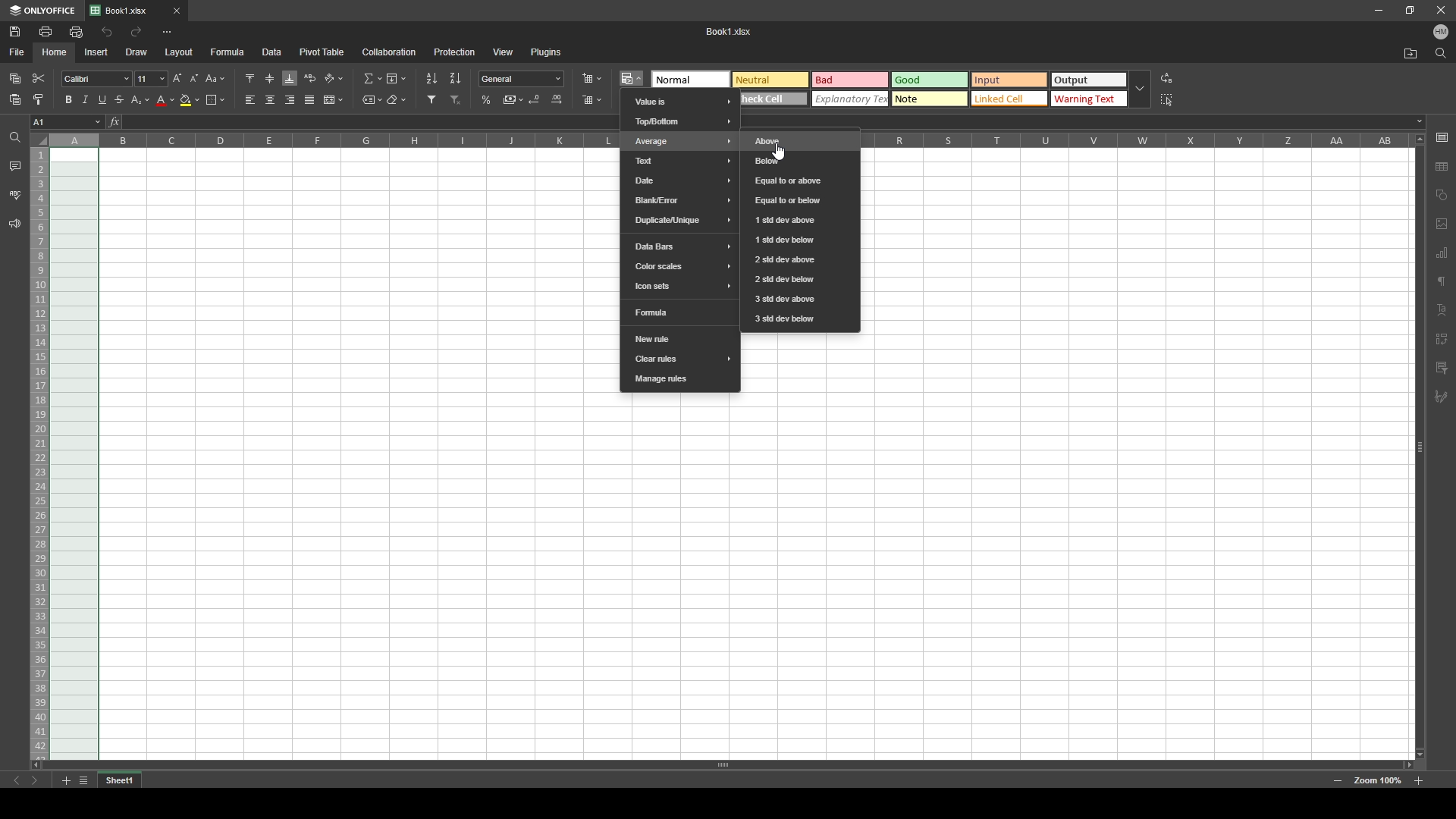 The image size is (1456, 819). Describe the element at coordinates (1141, 90) in the screenshot. I see `drop down` at that location.